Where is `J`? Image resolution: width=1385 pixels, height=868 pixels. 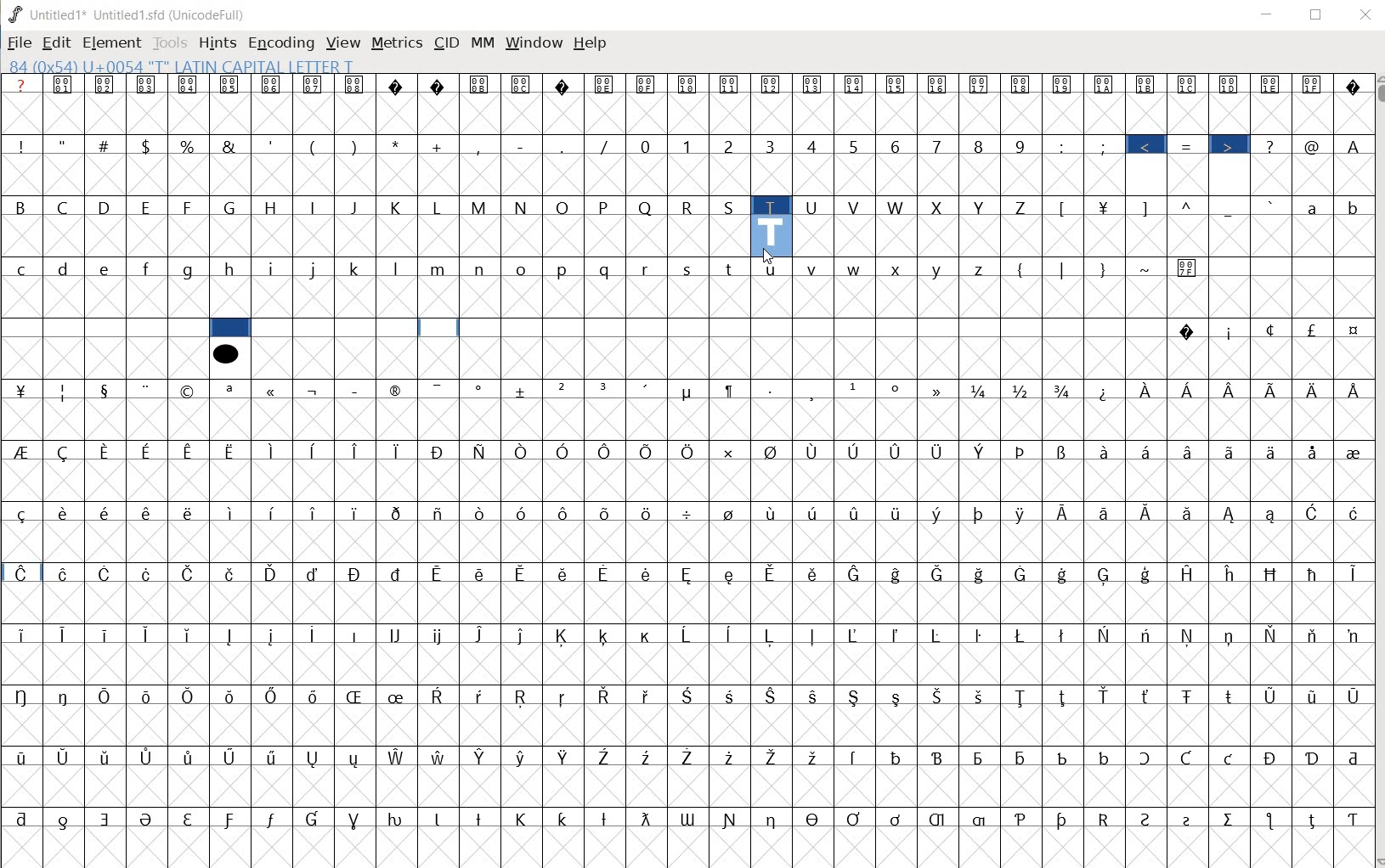
J is located at coordinates (356, 207).